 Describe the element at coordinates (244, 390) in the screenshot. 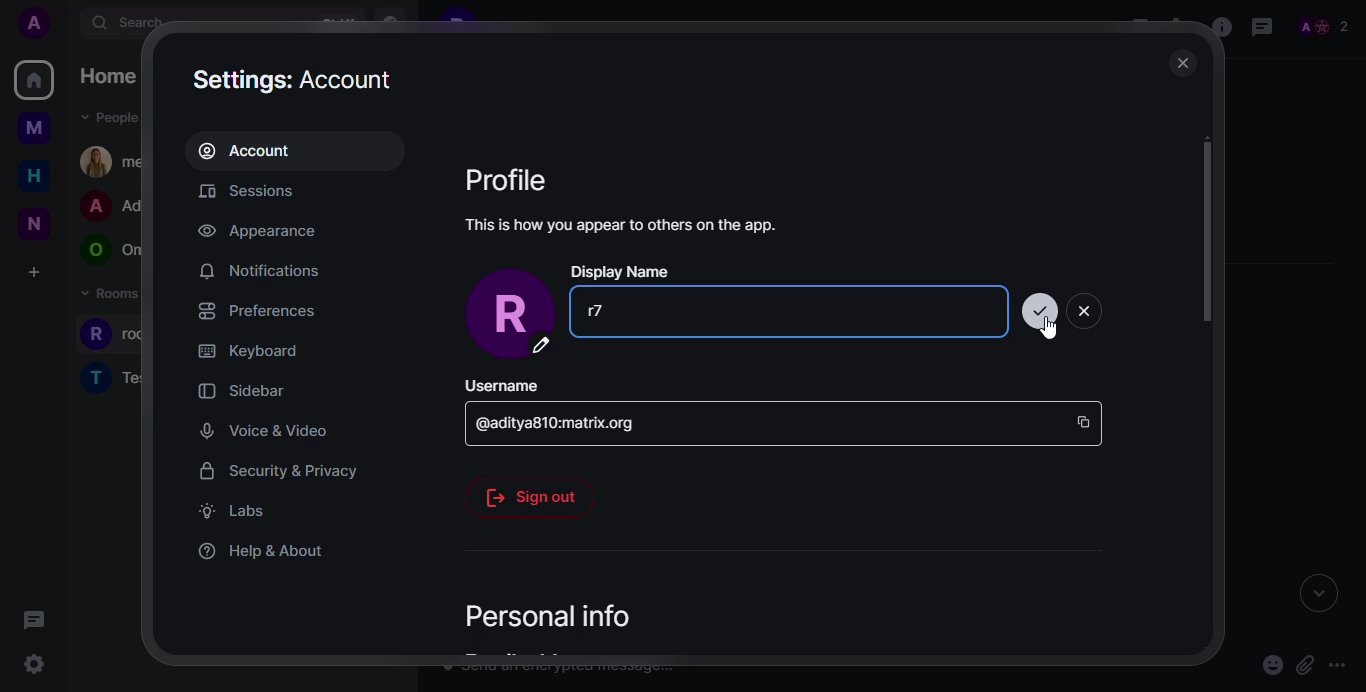

I see `sidebar` at that location.